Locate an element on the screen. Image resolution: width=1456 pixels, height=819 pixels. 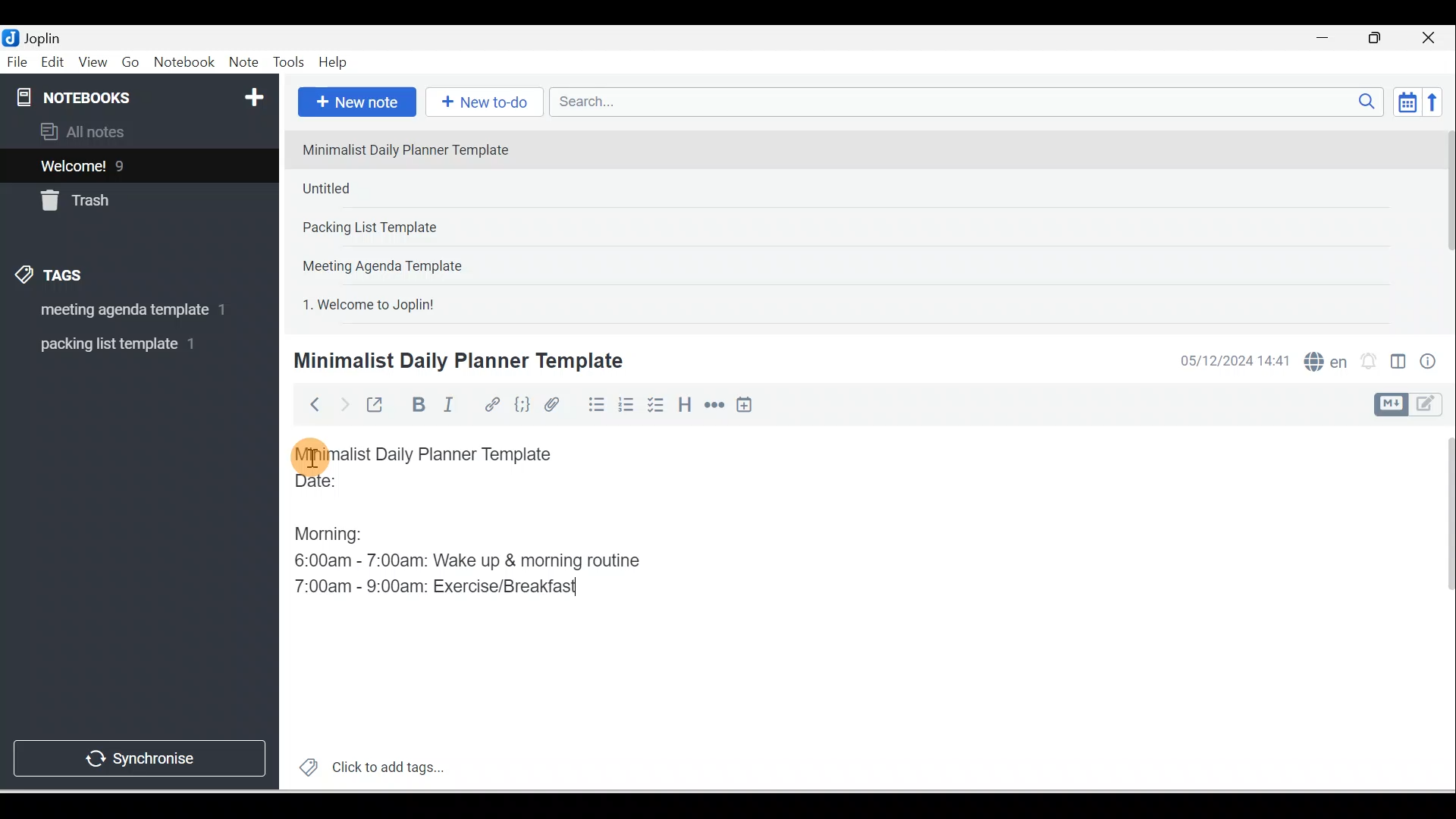
Morning: is located at coordinates (340, 530).